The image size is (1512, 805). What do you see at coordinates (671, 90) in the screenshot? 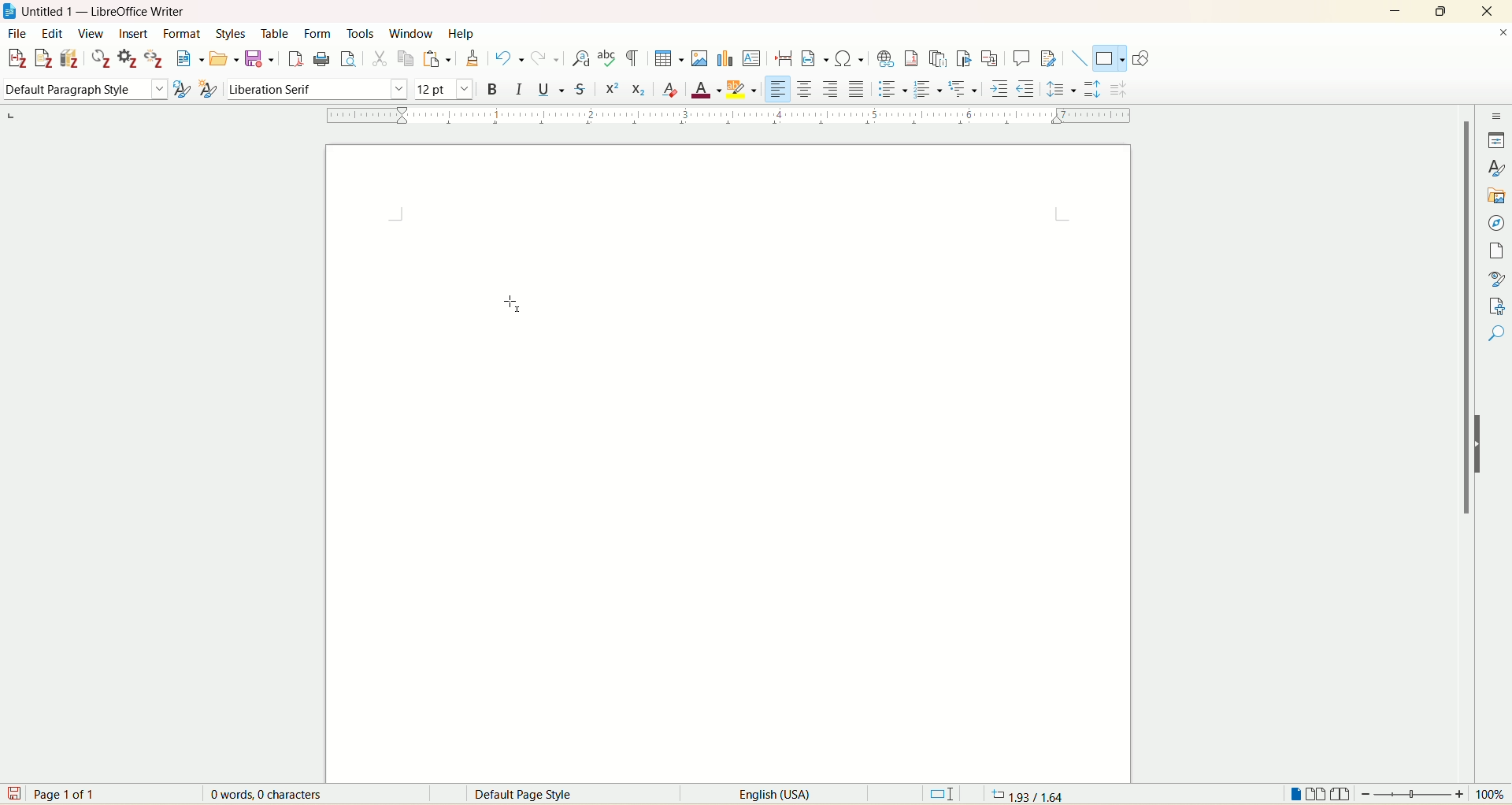
I see `clear formatting` at bounding box center [671, 90].